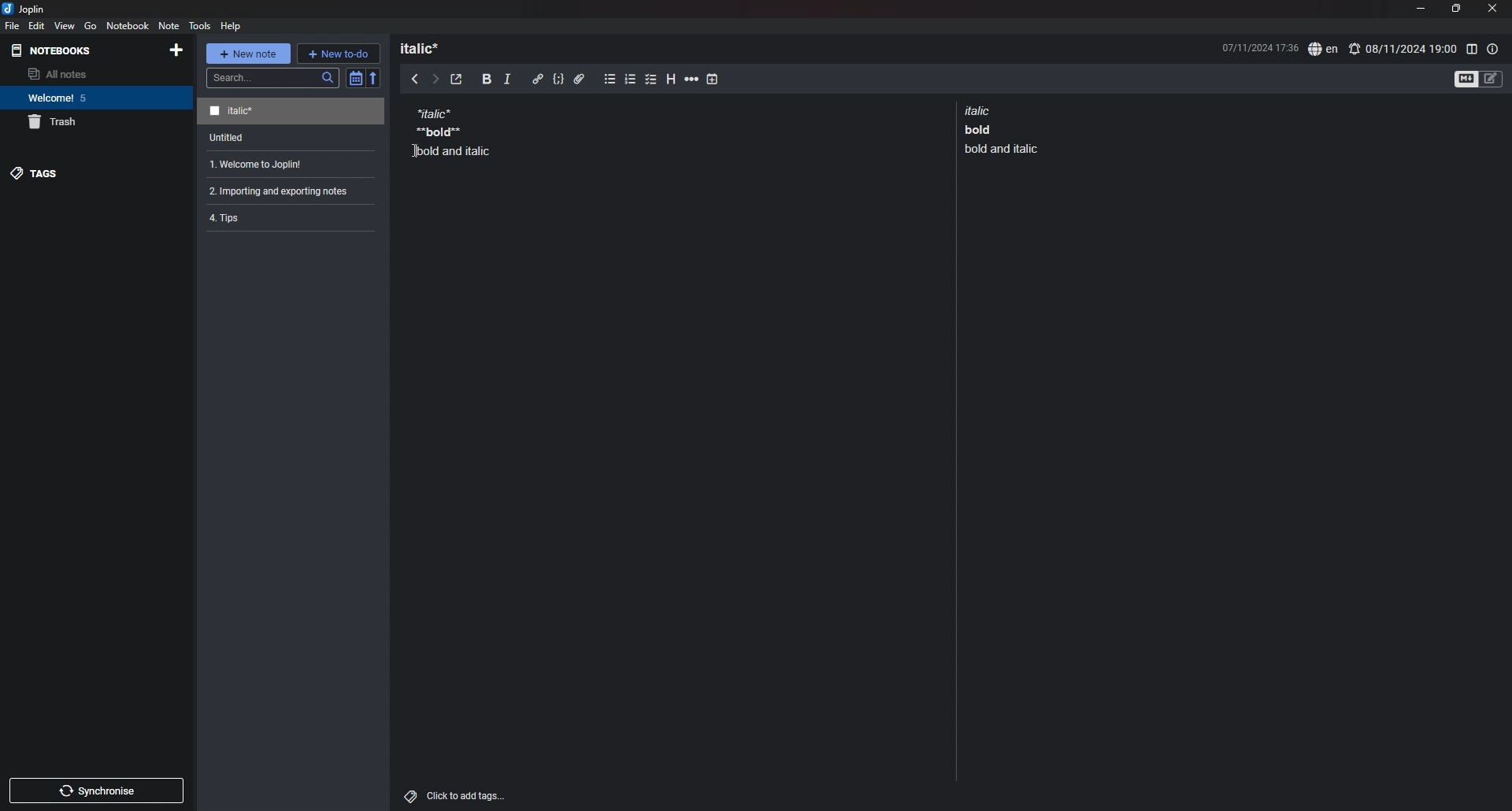 The height and width of the screenshot is (811, 1512). I want to click on tags, so click(95, 173).